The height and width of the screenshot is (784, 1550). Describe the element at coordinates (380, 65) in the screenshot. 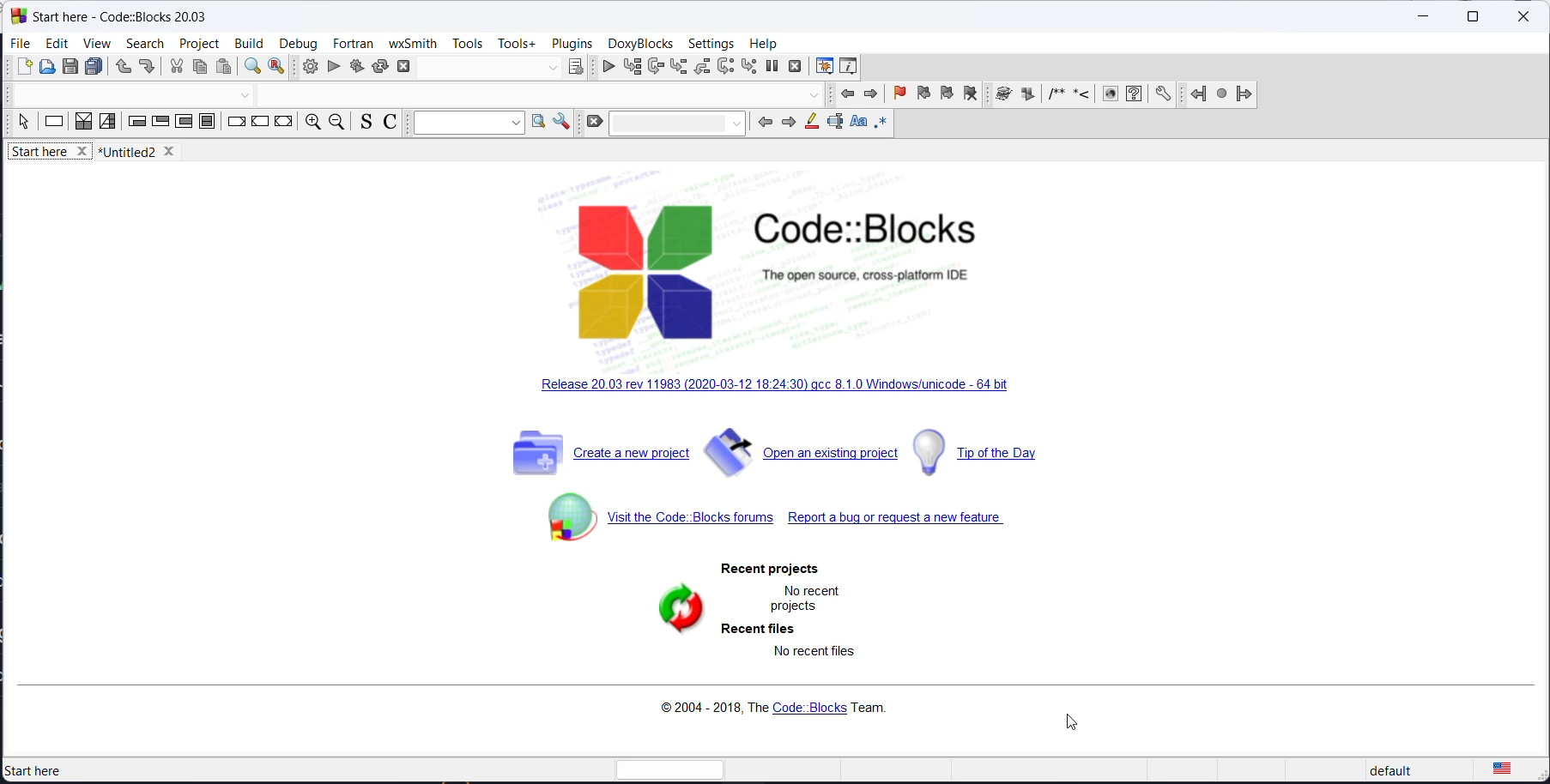

I see `rebuild` at that location.